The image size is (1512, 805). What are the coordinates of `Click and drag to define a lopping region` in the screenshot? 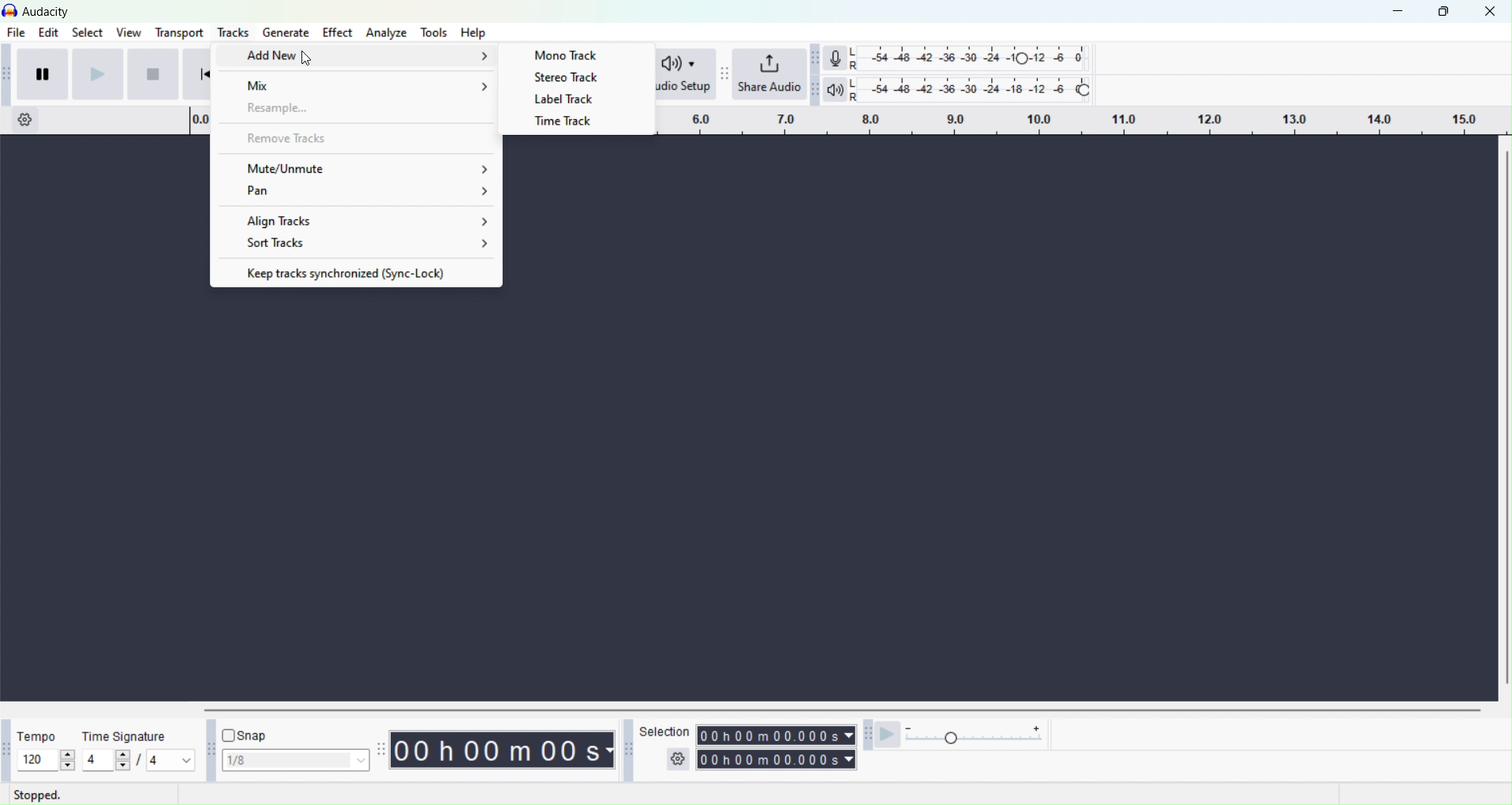 It's located at (1059, 122).